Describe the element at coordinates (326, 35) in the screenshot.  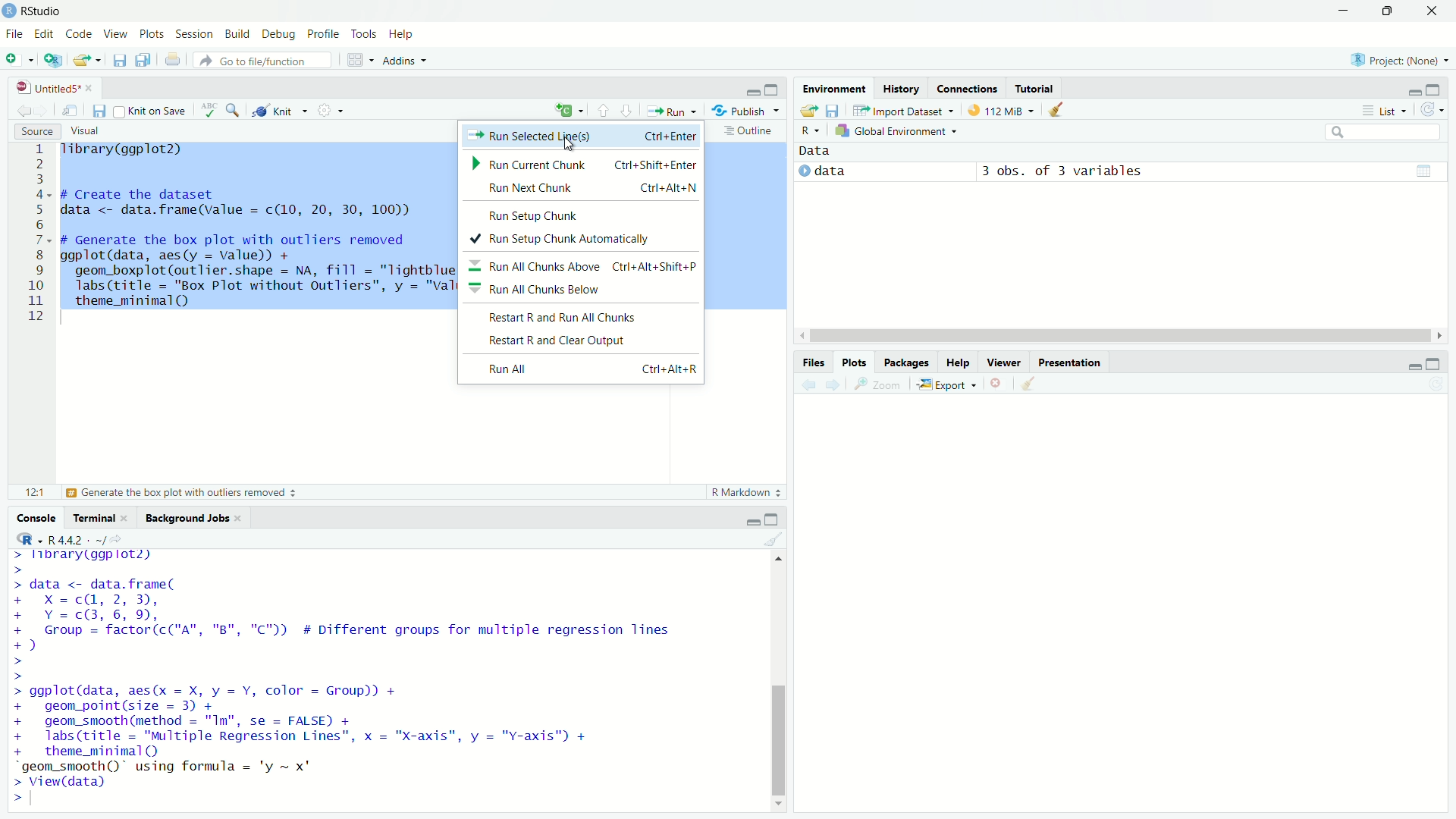
I see `Profile` at that location.